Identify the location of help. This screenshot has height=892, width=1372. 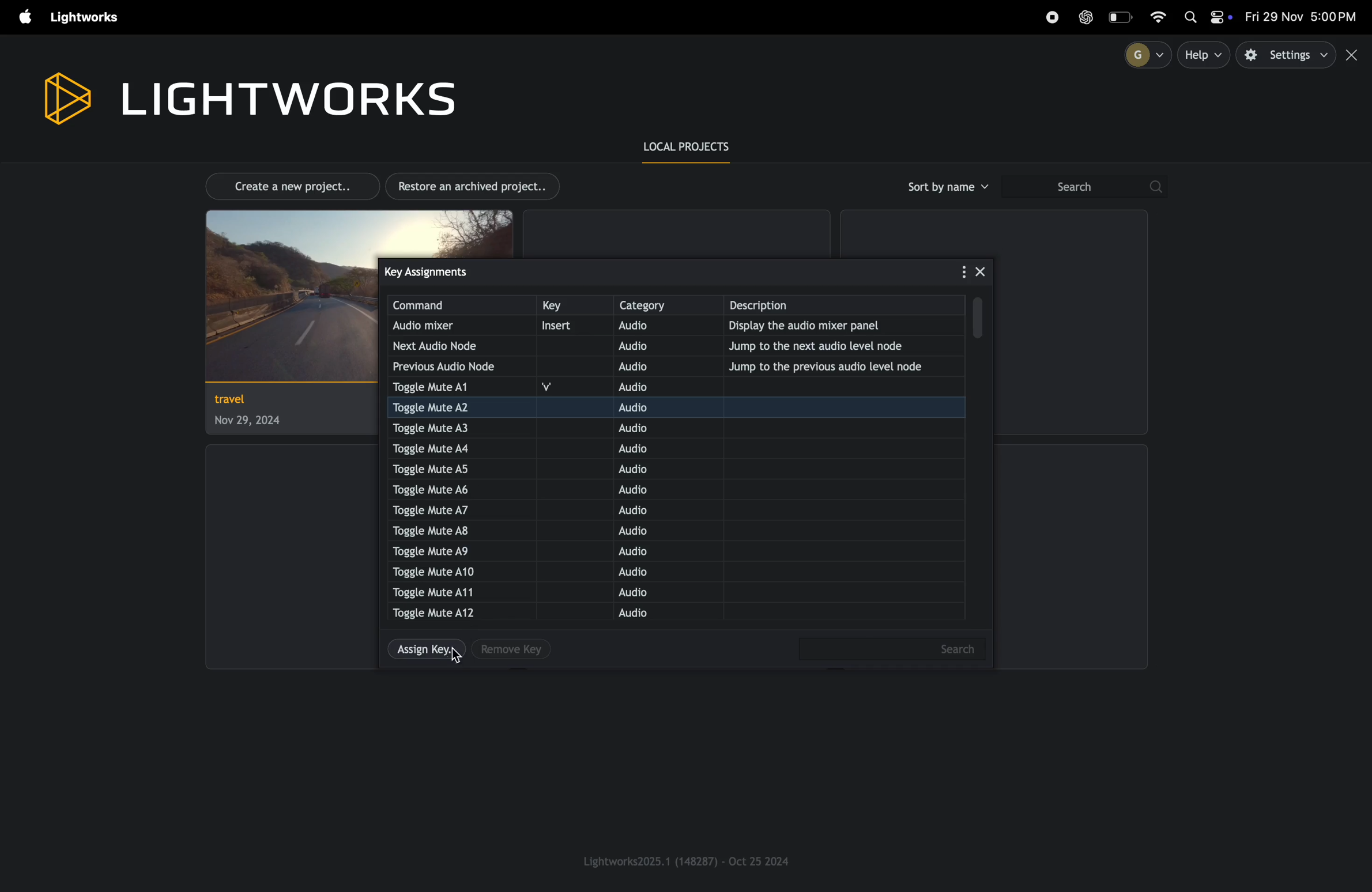
(1205, 55).